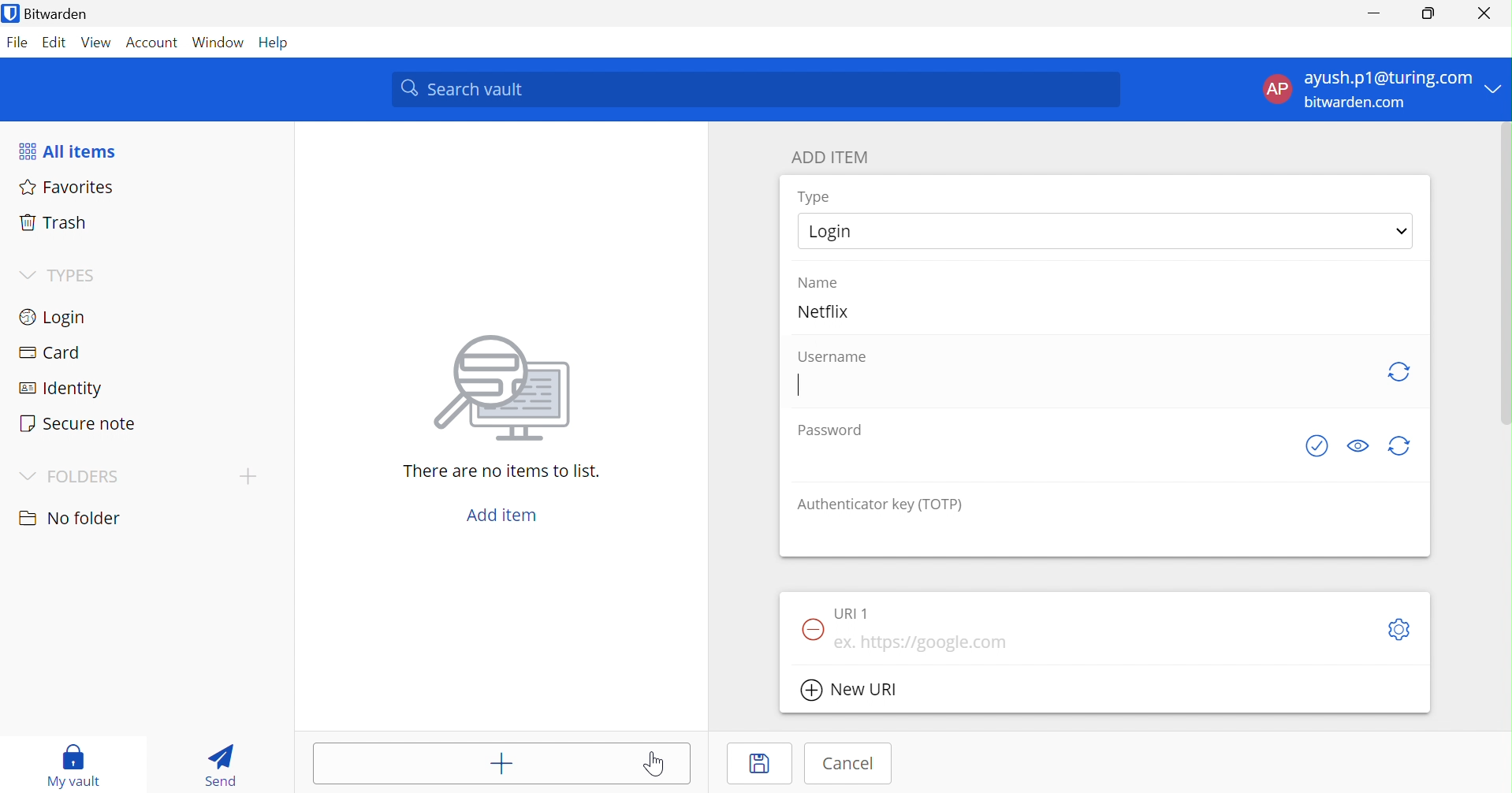  I want to click on Add item, so click(505, 515).